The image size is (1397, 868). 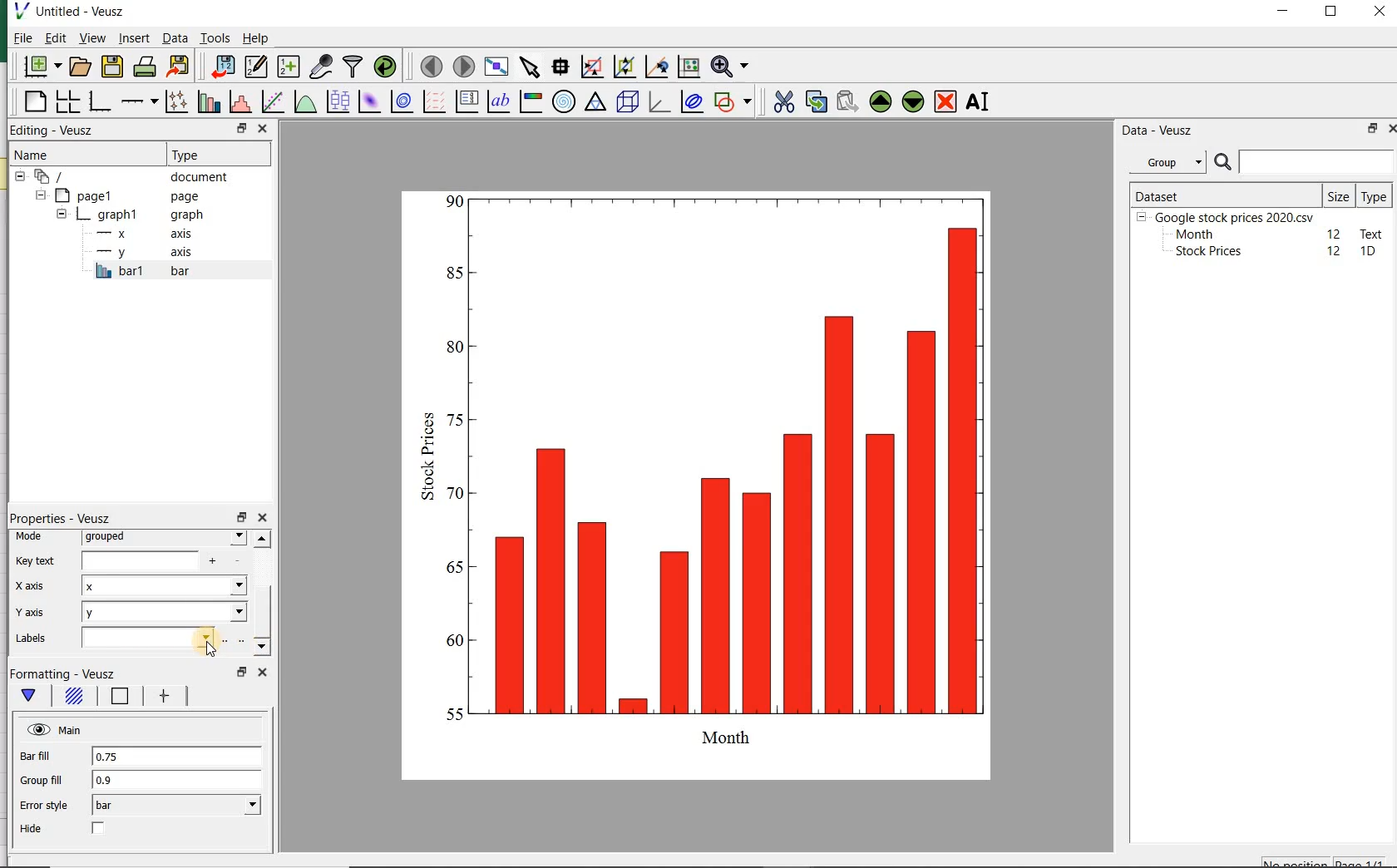 I want to click on plot a vector field, so click(x=432, y=103).